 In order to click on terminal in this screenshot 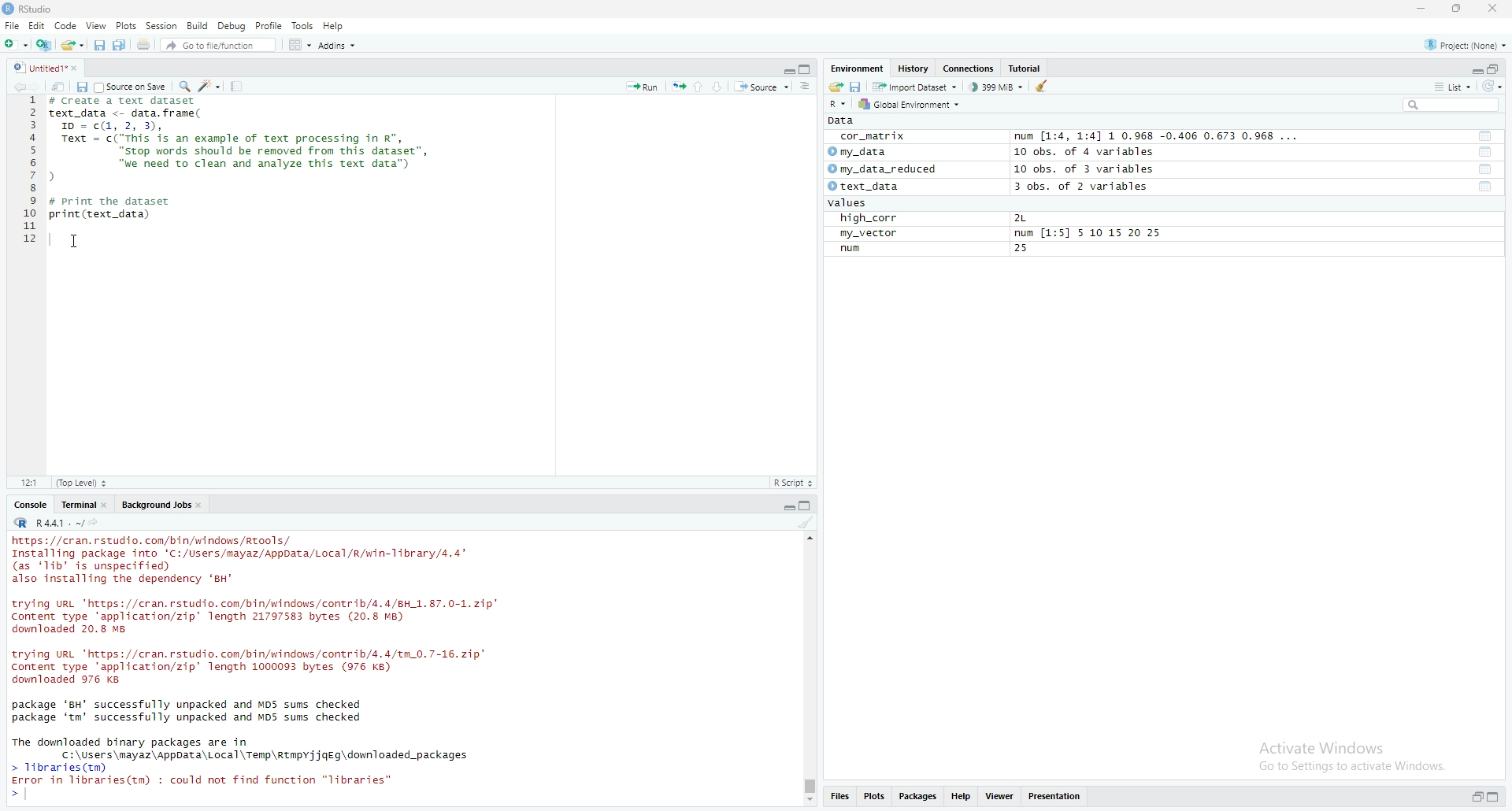, I will do `click(83, 504)`.